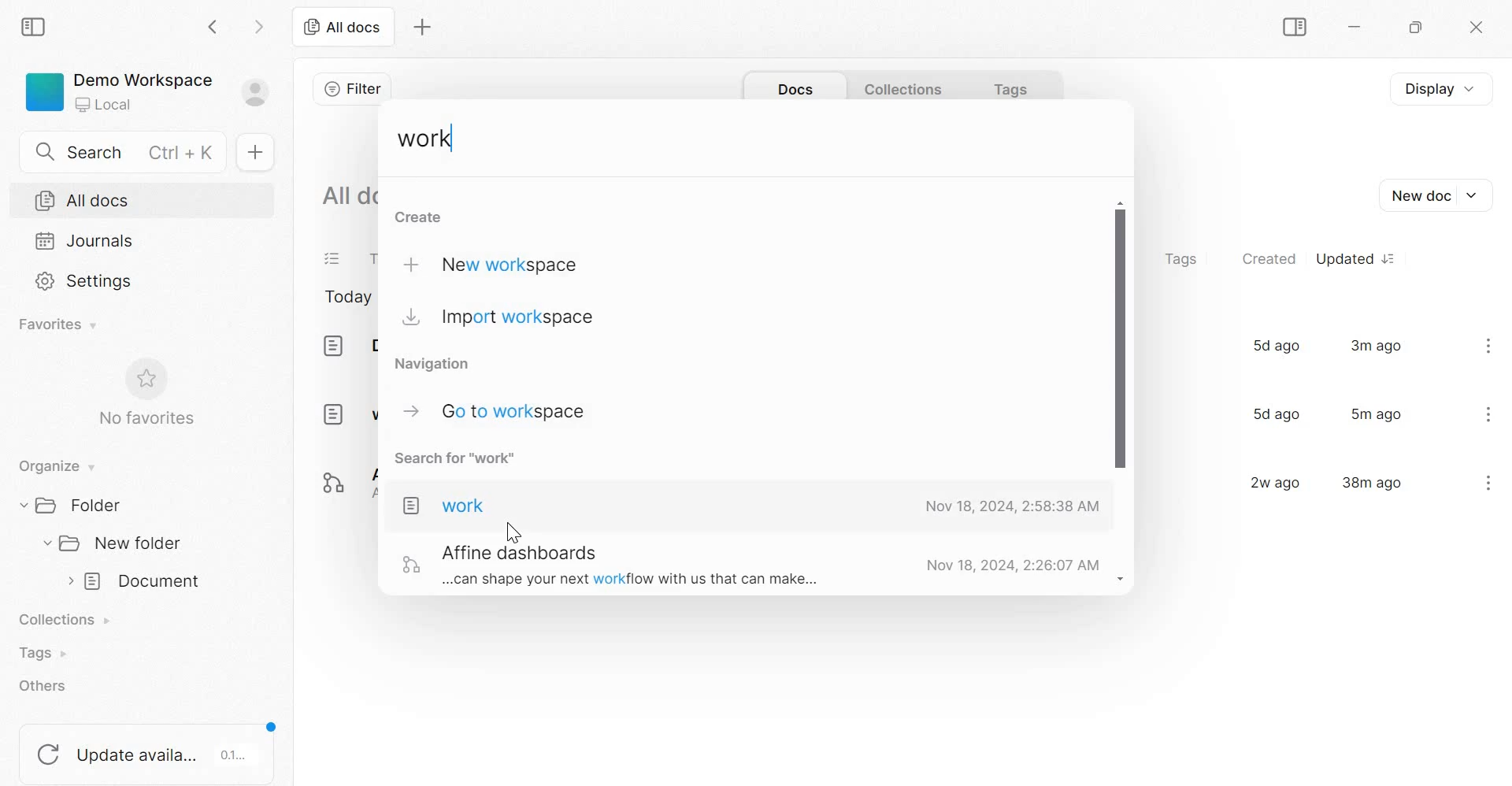 This screenshot has height=786, width=1512. I want to click on work, so click(428, 140).